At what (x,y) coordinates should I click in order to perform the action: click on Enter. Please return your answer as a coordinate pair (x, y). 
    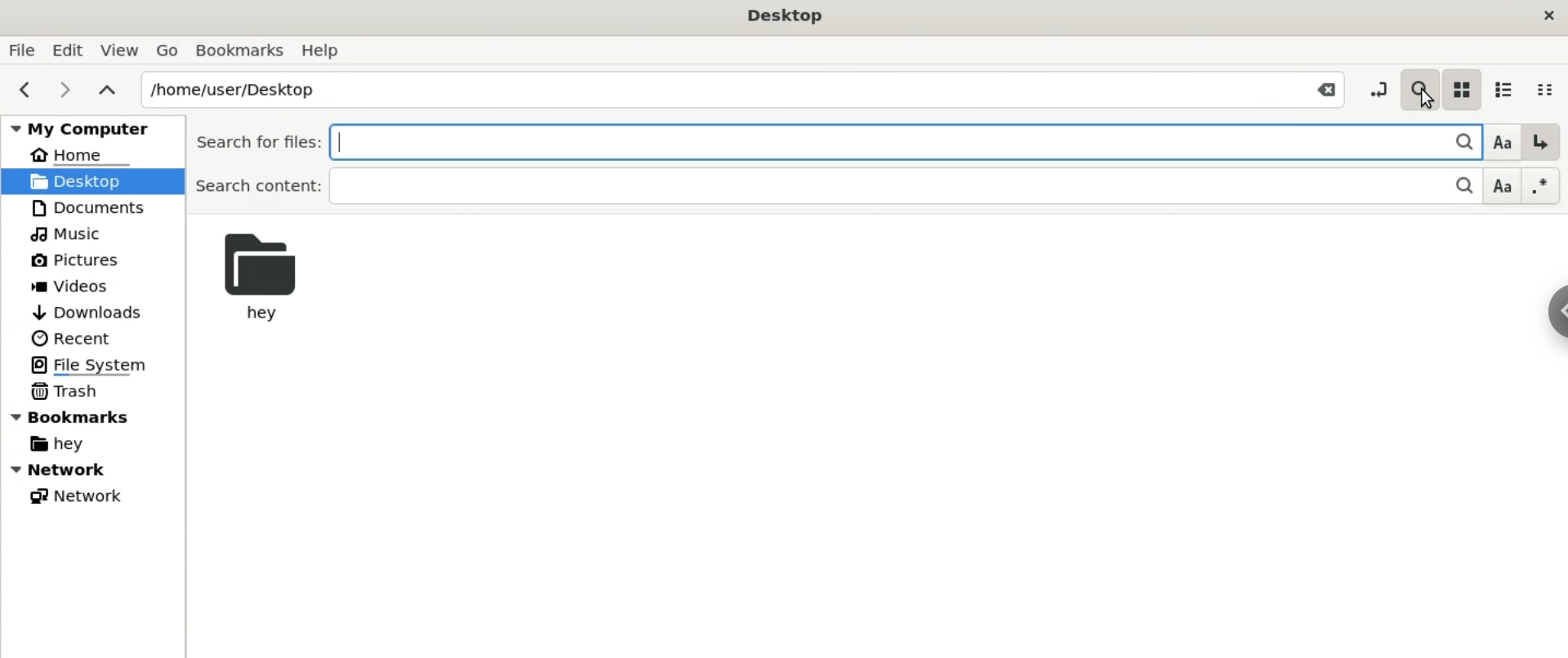
    Looking at the image, I should click on (1541, 142).